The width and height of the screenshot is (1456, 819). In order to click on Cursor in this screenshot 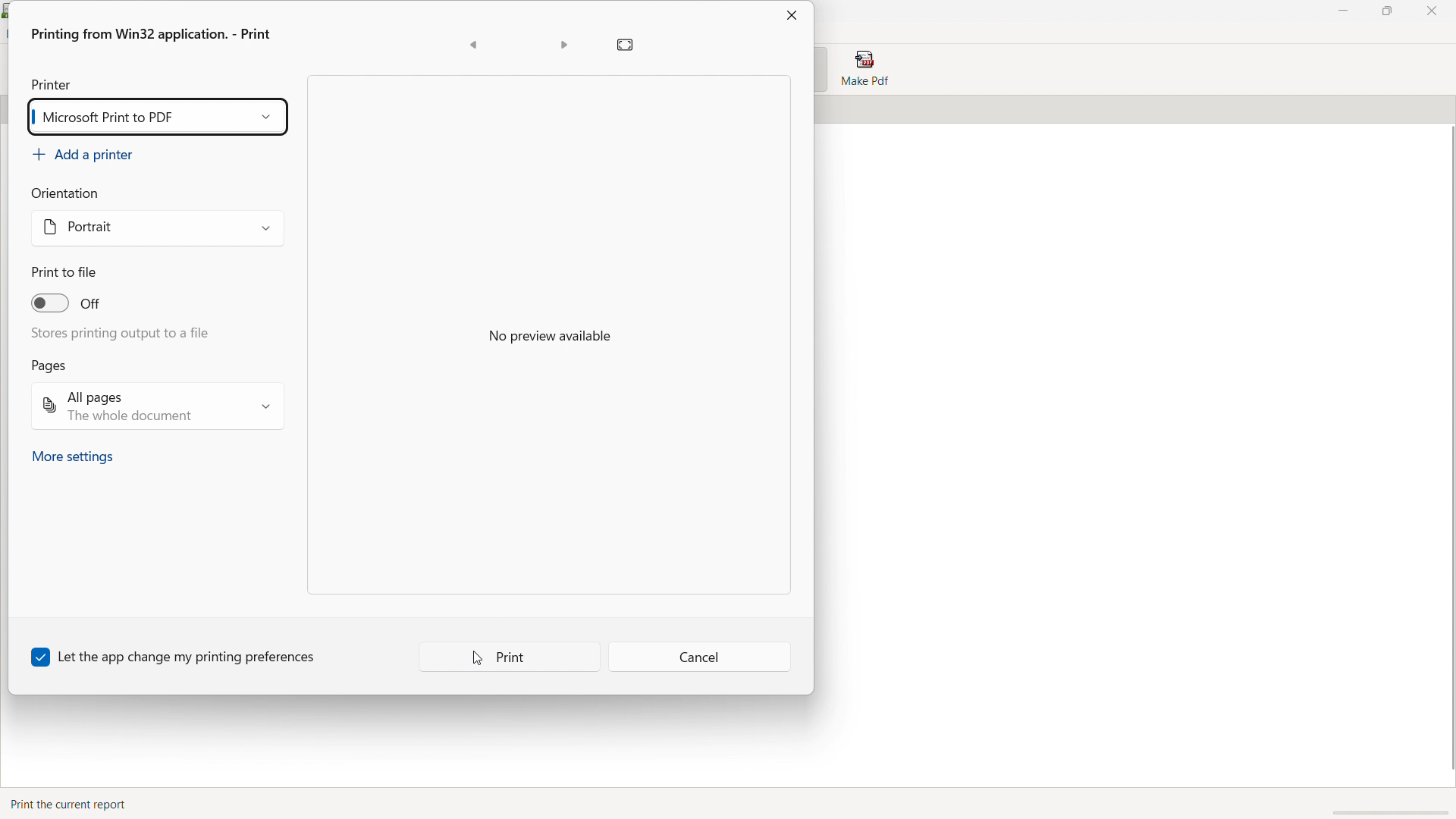, I will do `click(475, 660)`.